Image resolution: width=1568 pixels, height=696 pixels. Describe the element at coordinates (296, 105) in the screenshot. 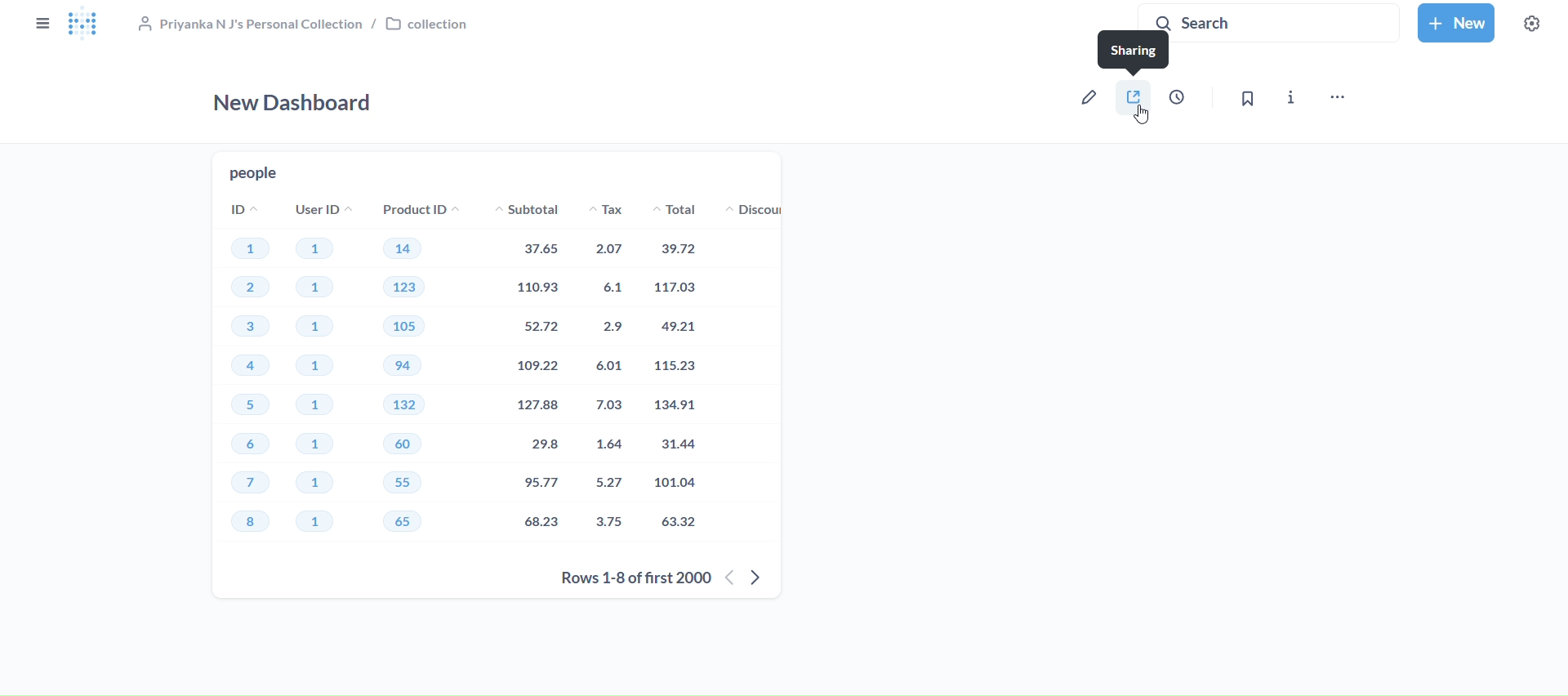

I see `new dashboard` at that location.